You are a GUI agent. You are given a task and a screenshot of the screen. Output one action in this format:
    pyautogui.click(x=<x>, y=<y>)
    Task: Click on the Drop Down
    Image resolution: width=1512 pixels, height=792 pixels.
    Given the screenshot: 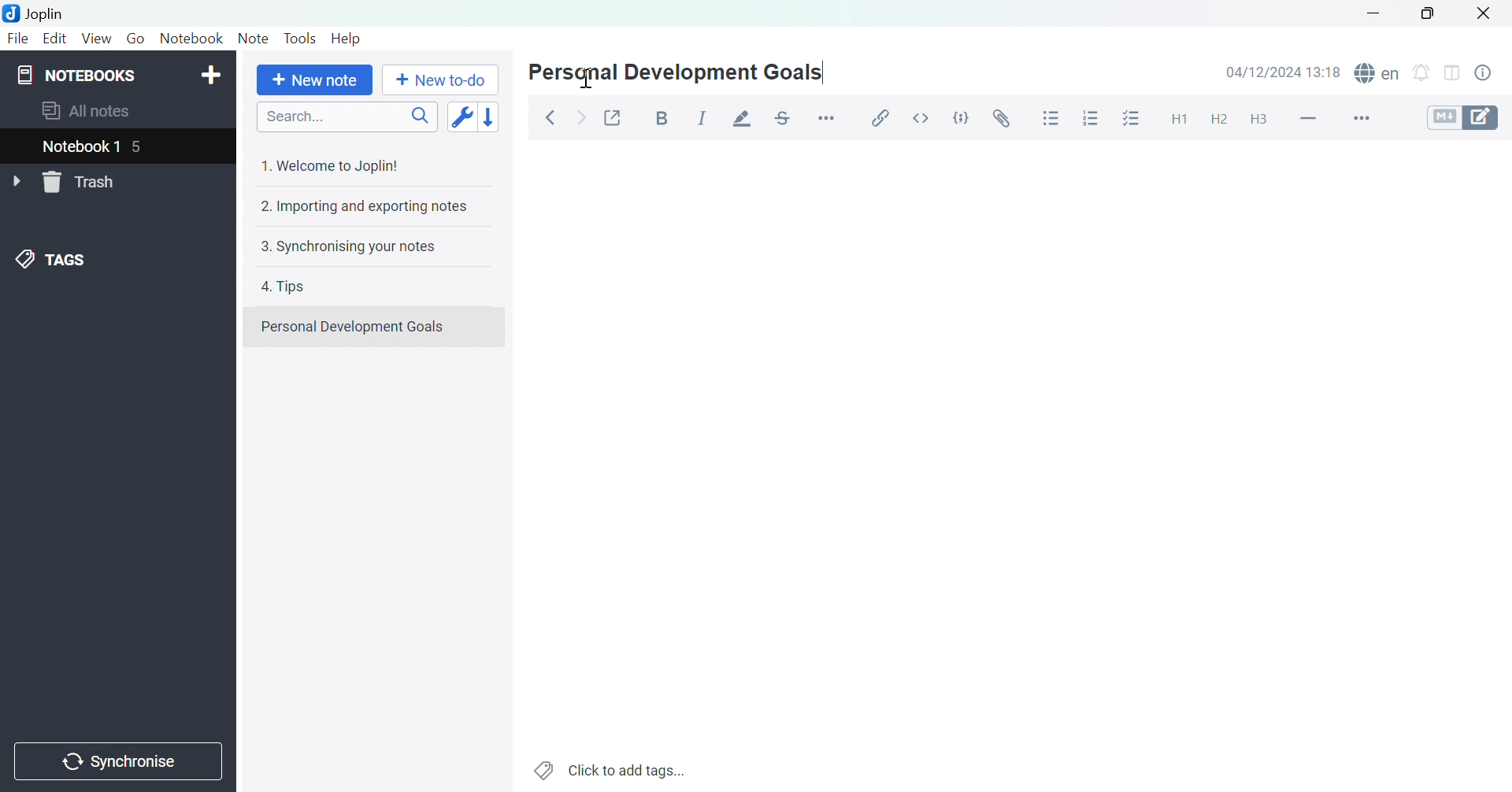 What is the action you would take?
    pyautogui.click(x=16, y=179)
    